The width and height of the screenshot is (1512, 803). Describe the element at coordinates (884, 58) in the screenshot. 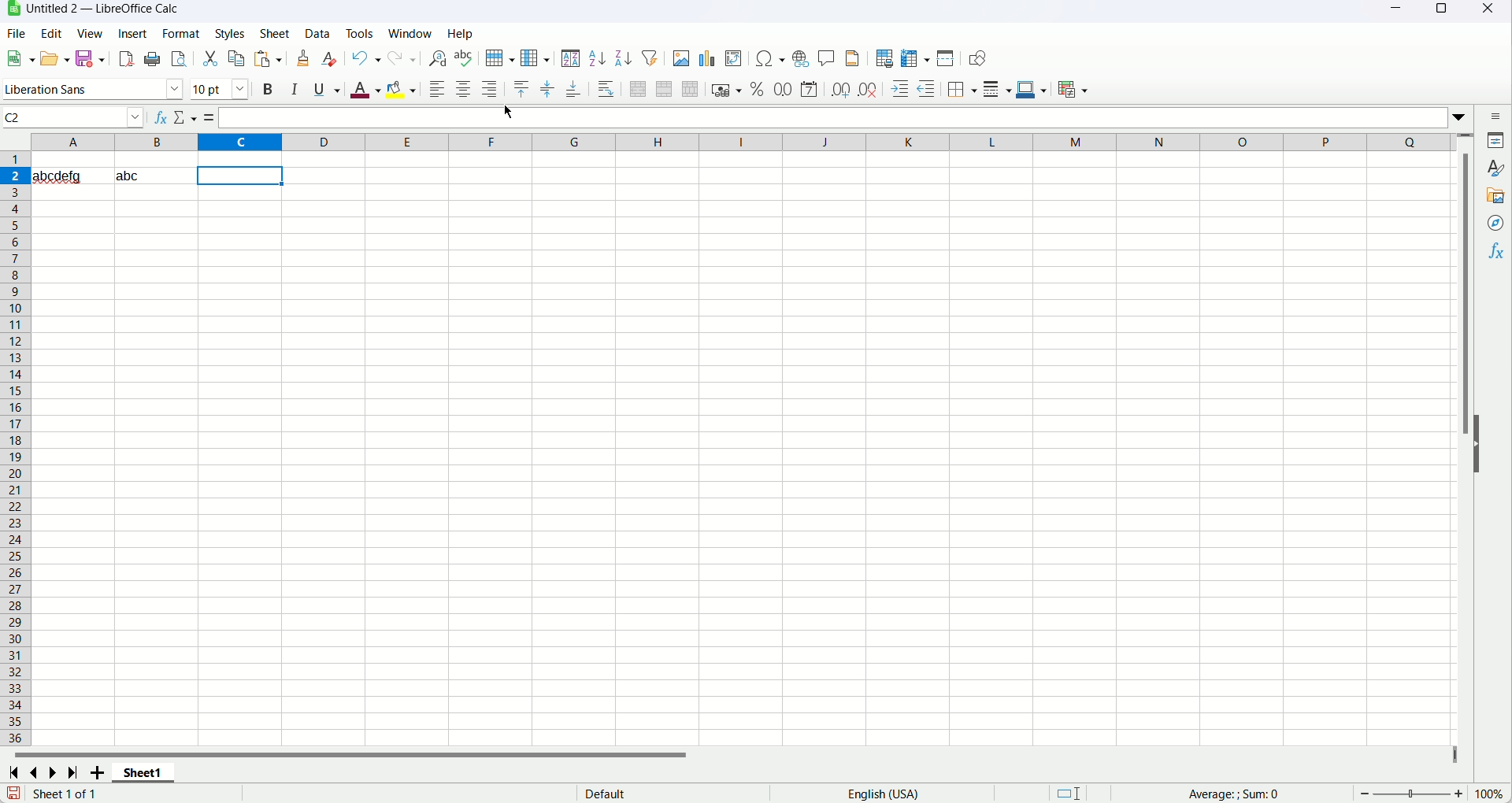

I see `define print area` at that location.